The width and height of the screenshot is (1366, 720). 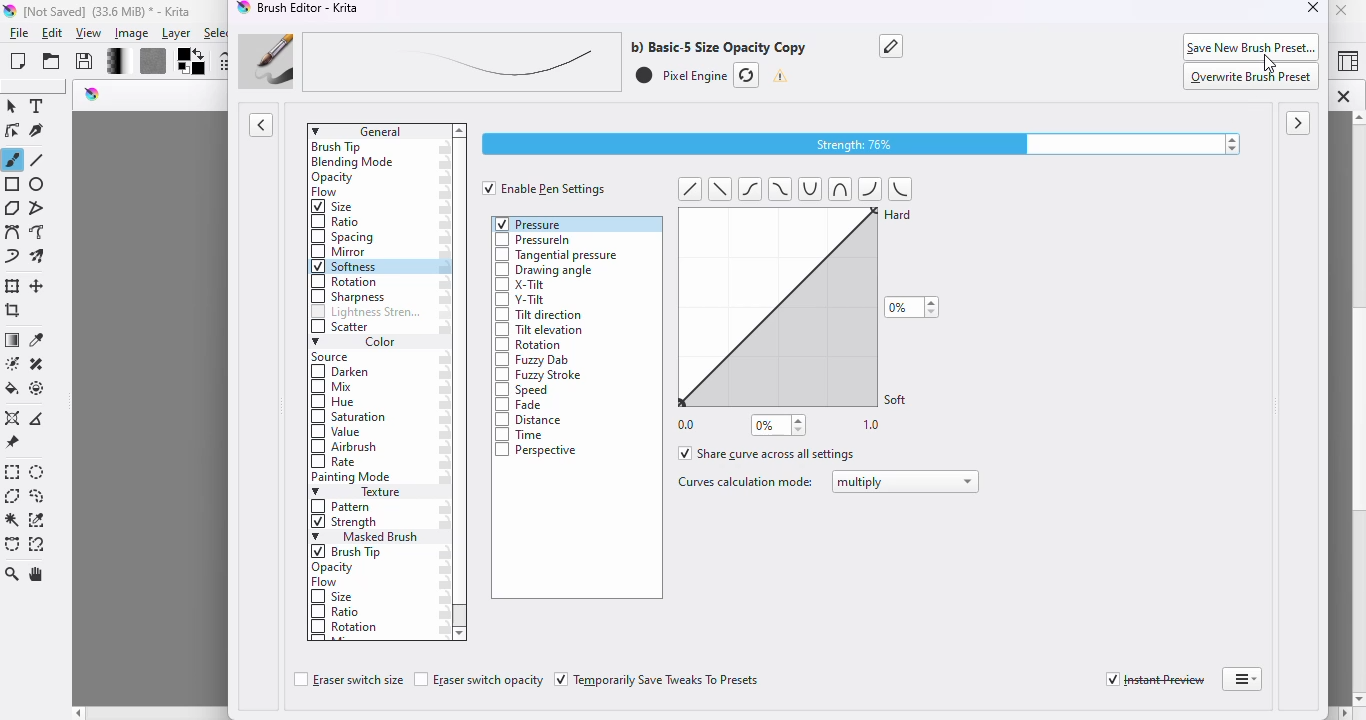 I want to click on zoom tool, so click(x=13, y=574).